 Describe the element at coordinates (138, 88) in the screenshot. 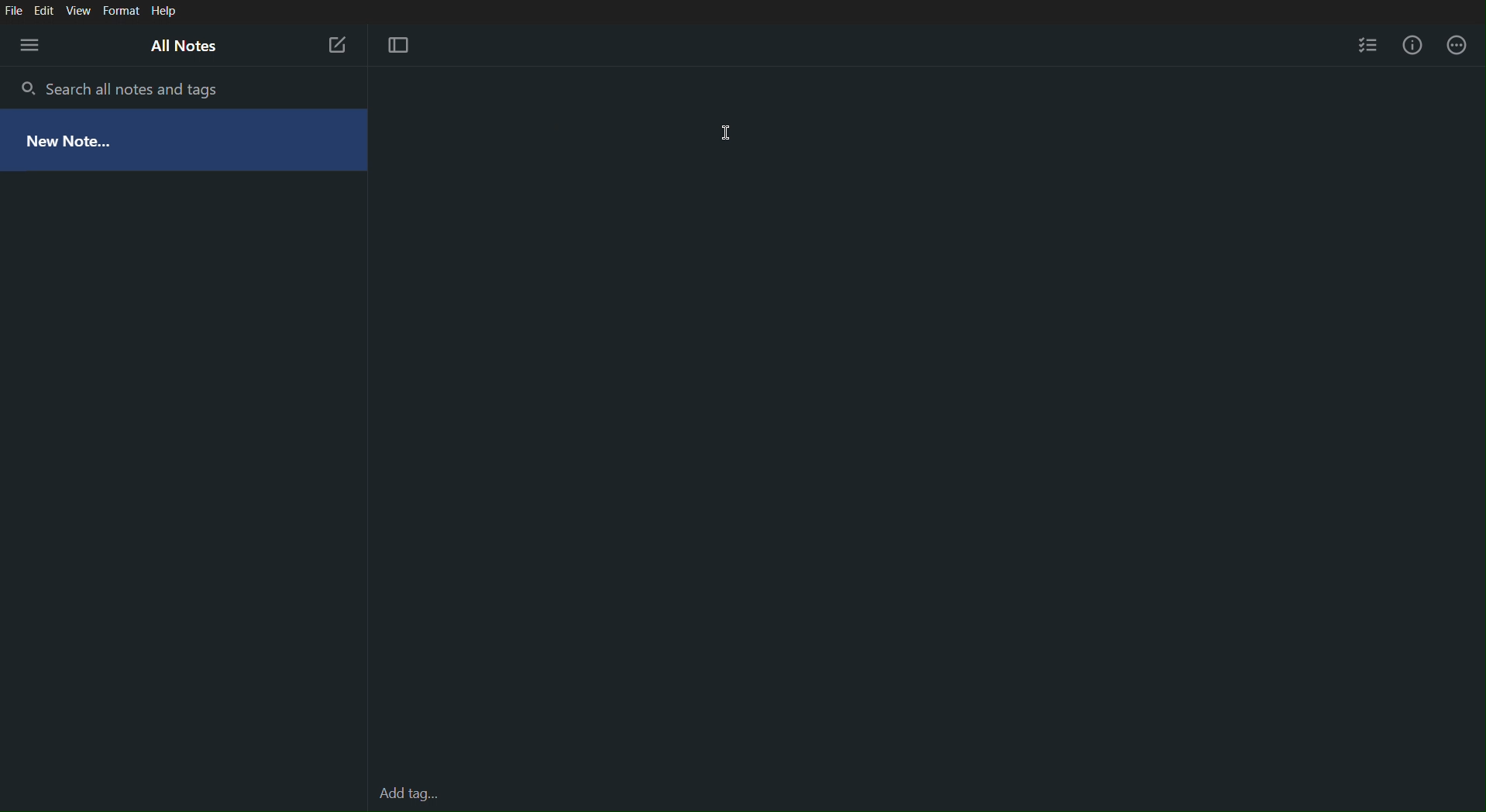

I see `Search all notes and tags` at that location.